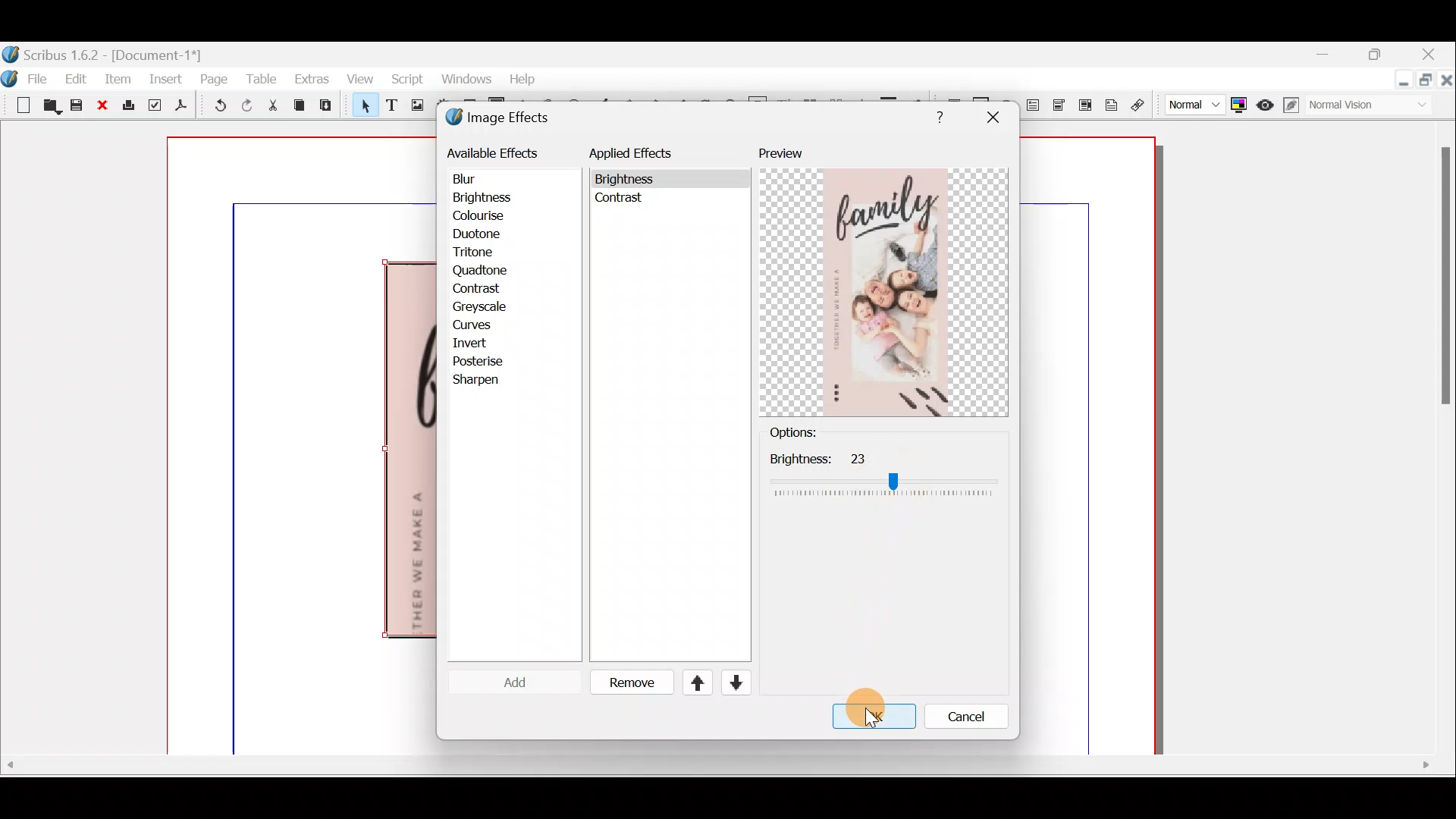 The width and height of the screenshot is (1456, 819). Describe the element at coordinates (484, 344) in the screenshot. I see `Invert` at that location.